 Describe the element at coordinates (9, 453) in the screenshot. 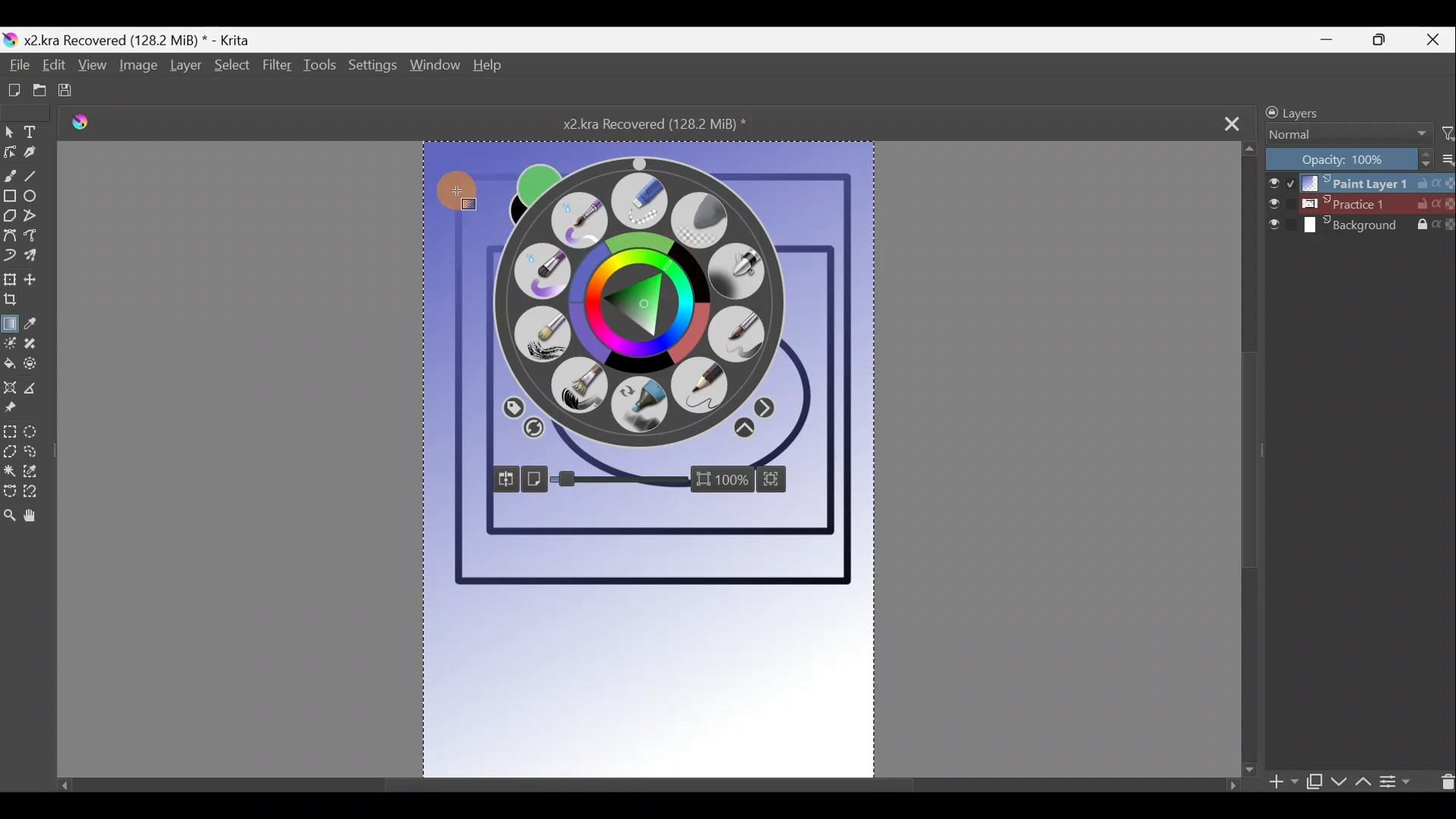

I see `Polgonal selection tool` at that location.